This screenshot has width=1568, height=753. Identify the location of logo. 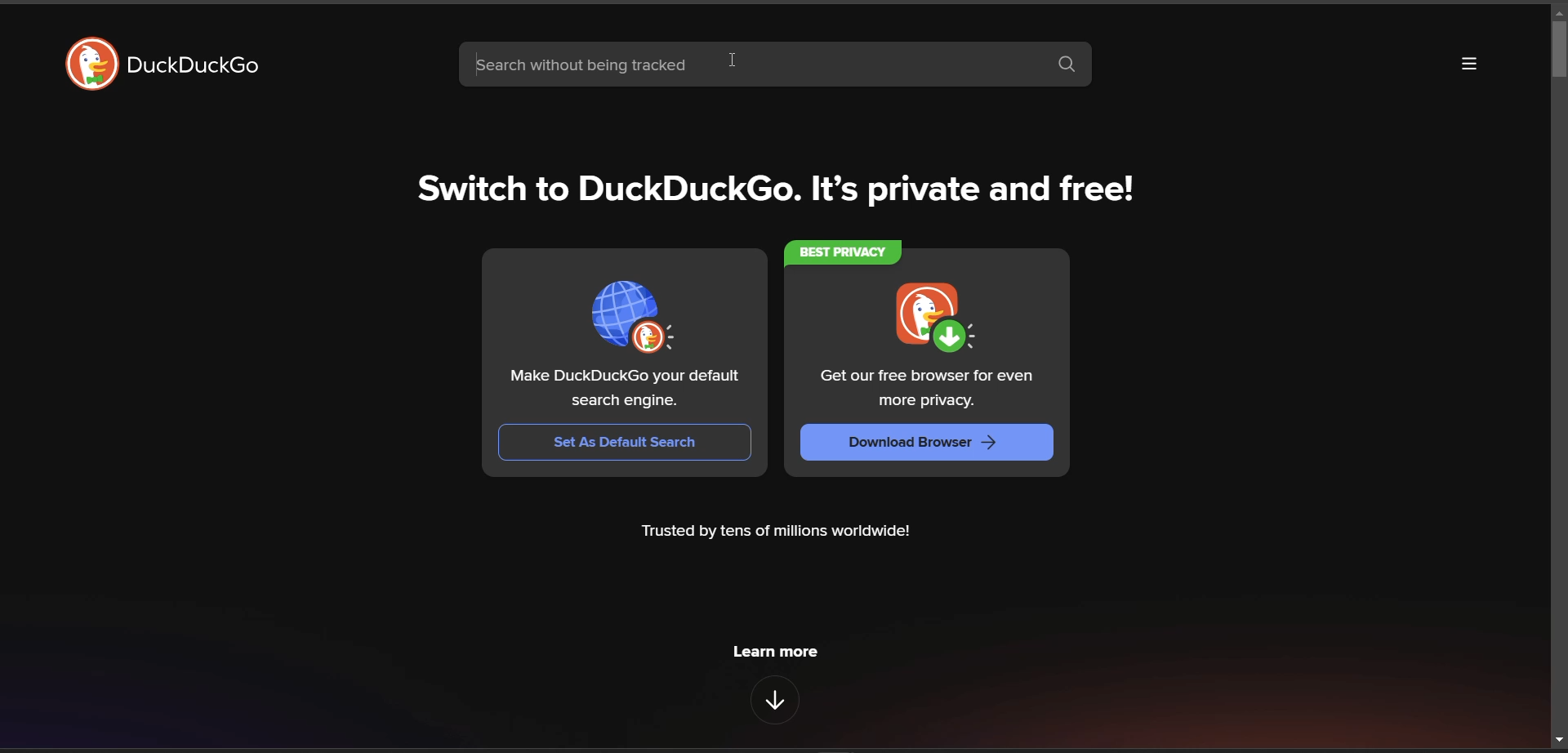
(638, 315).